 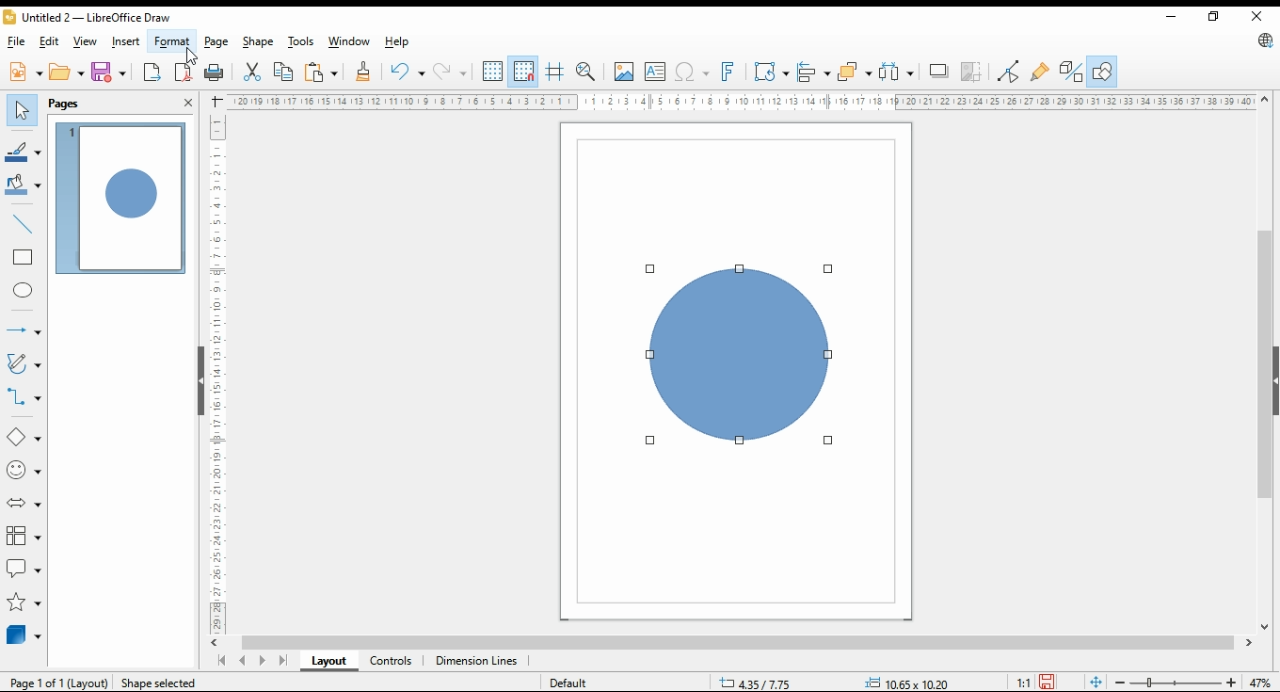 I want to click on Ruler, so click(x=741, y=101).